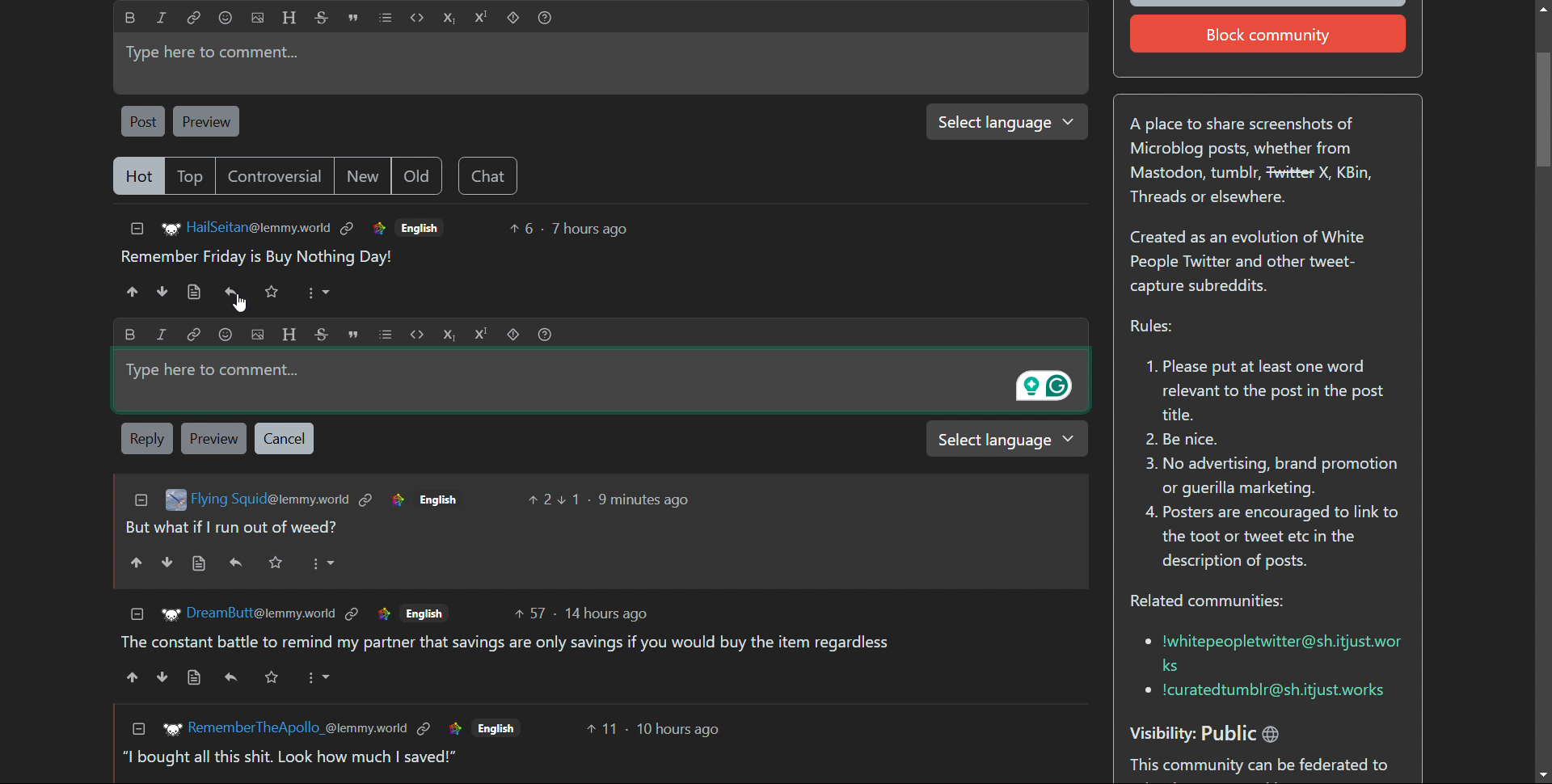  Describe the element at coordinates (126, 679) in the screenshot. I see `upvote` at that location.